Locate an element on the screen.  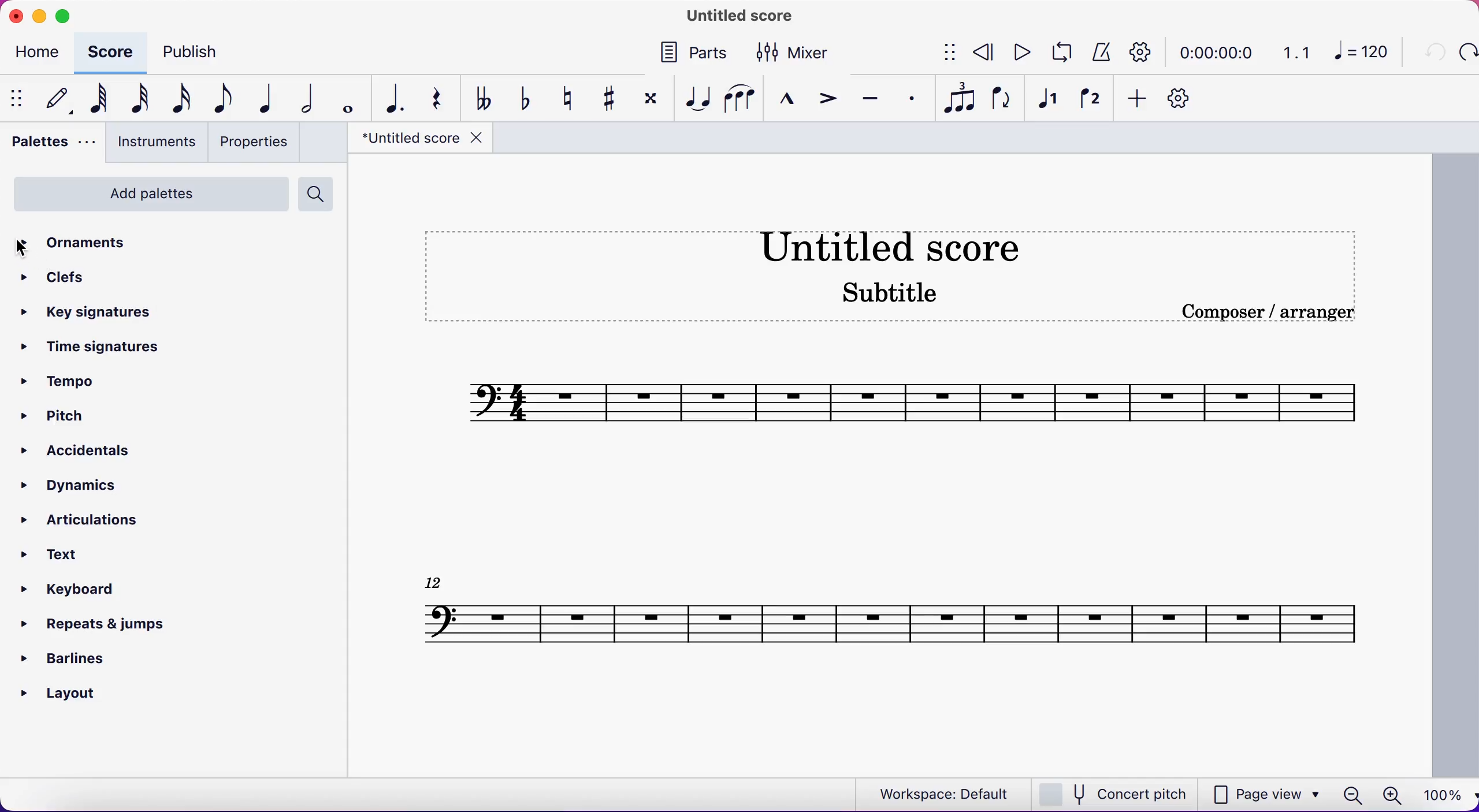
staccato is located at coordinates (909, 98).